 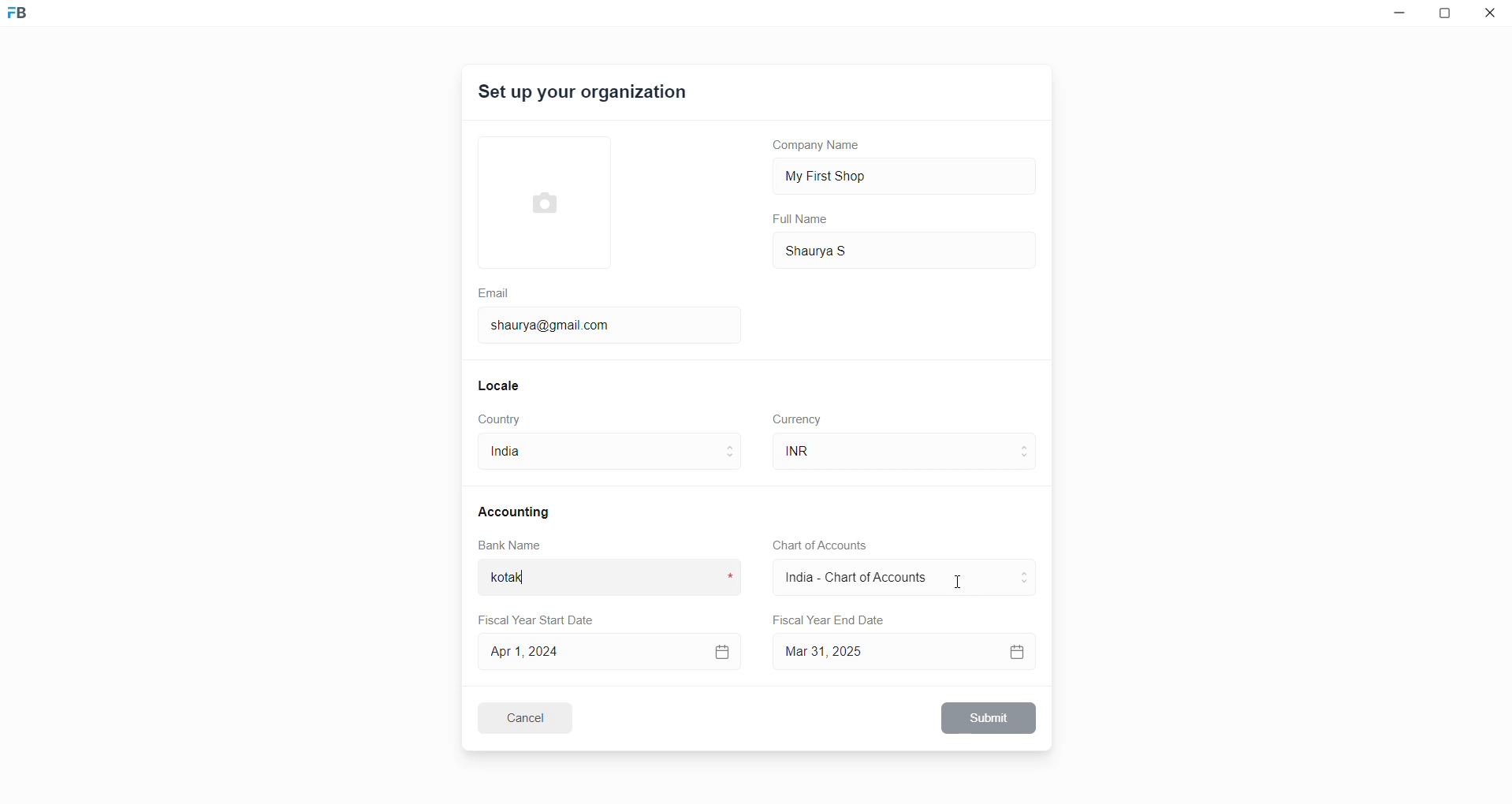 I want to click on Fiscal Year End Date, so click(x=830, y=620).